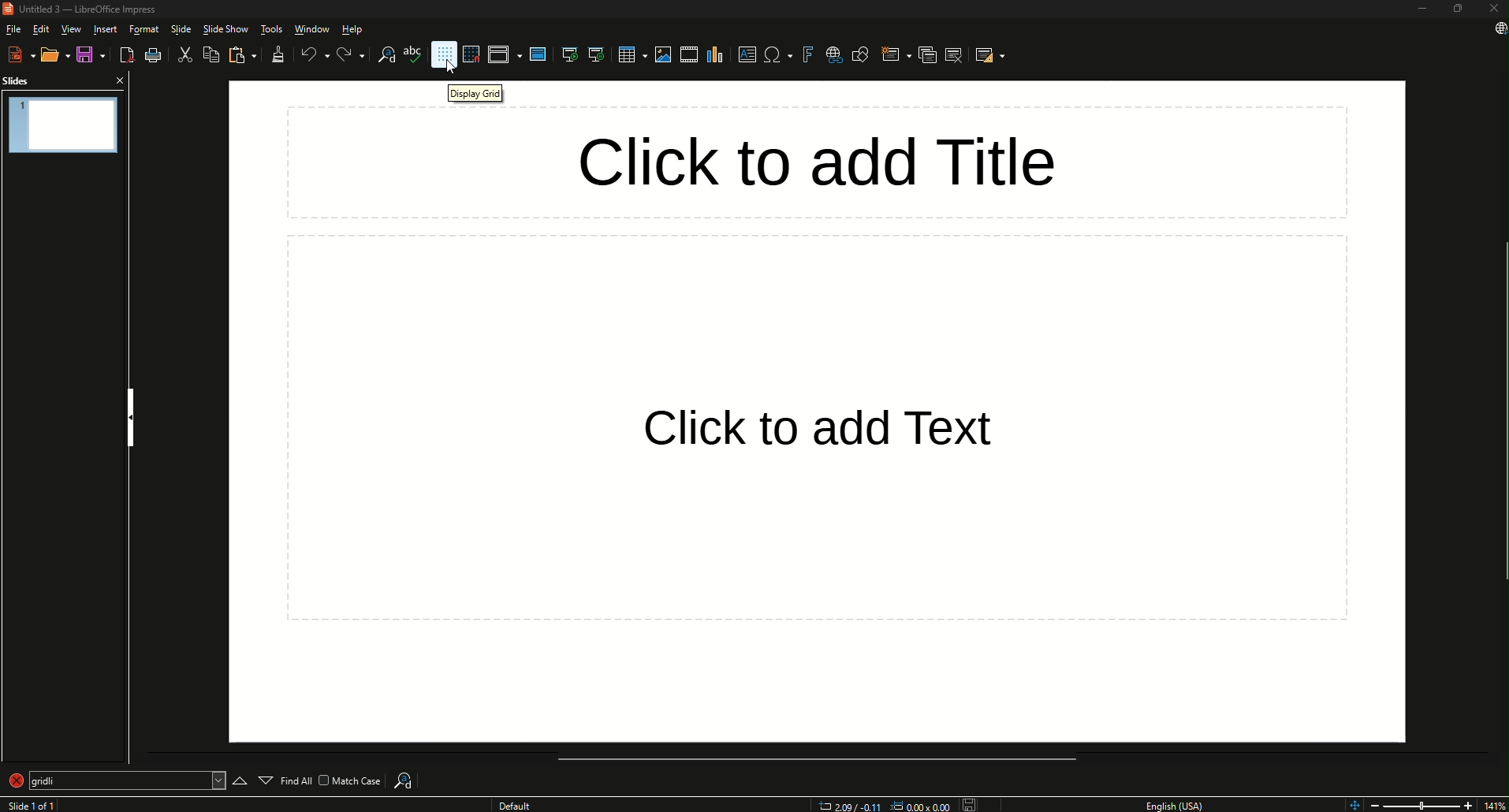  What do you see at coordinates (128, 54) in the screenshot?
I see `Export directly as PDF` at bounding box center [128, 54].